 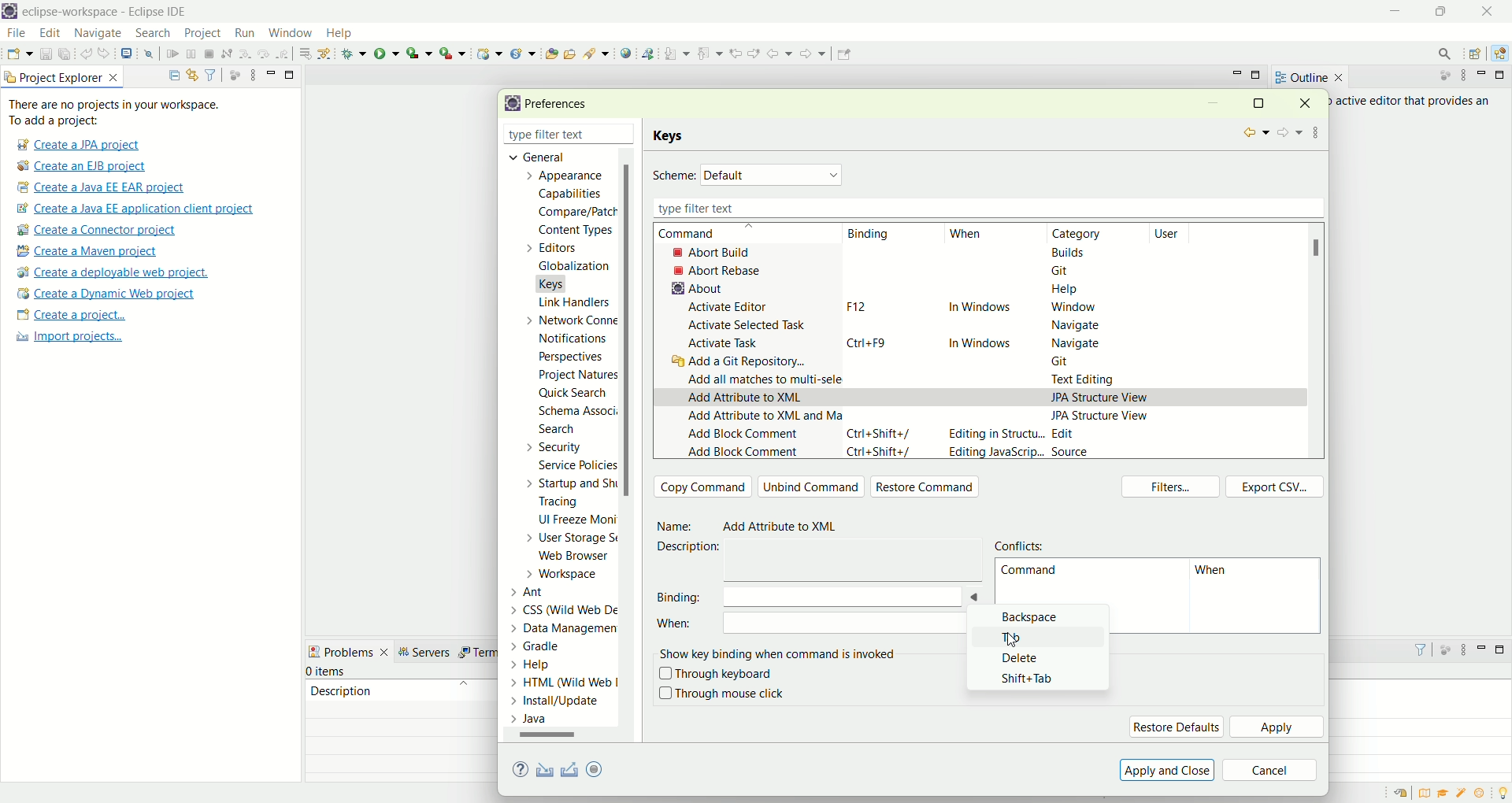 I want to click on perspectives, so click(x=569, y=357).